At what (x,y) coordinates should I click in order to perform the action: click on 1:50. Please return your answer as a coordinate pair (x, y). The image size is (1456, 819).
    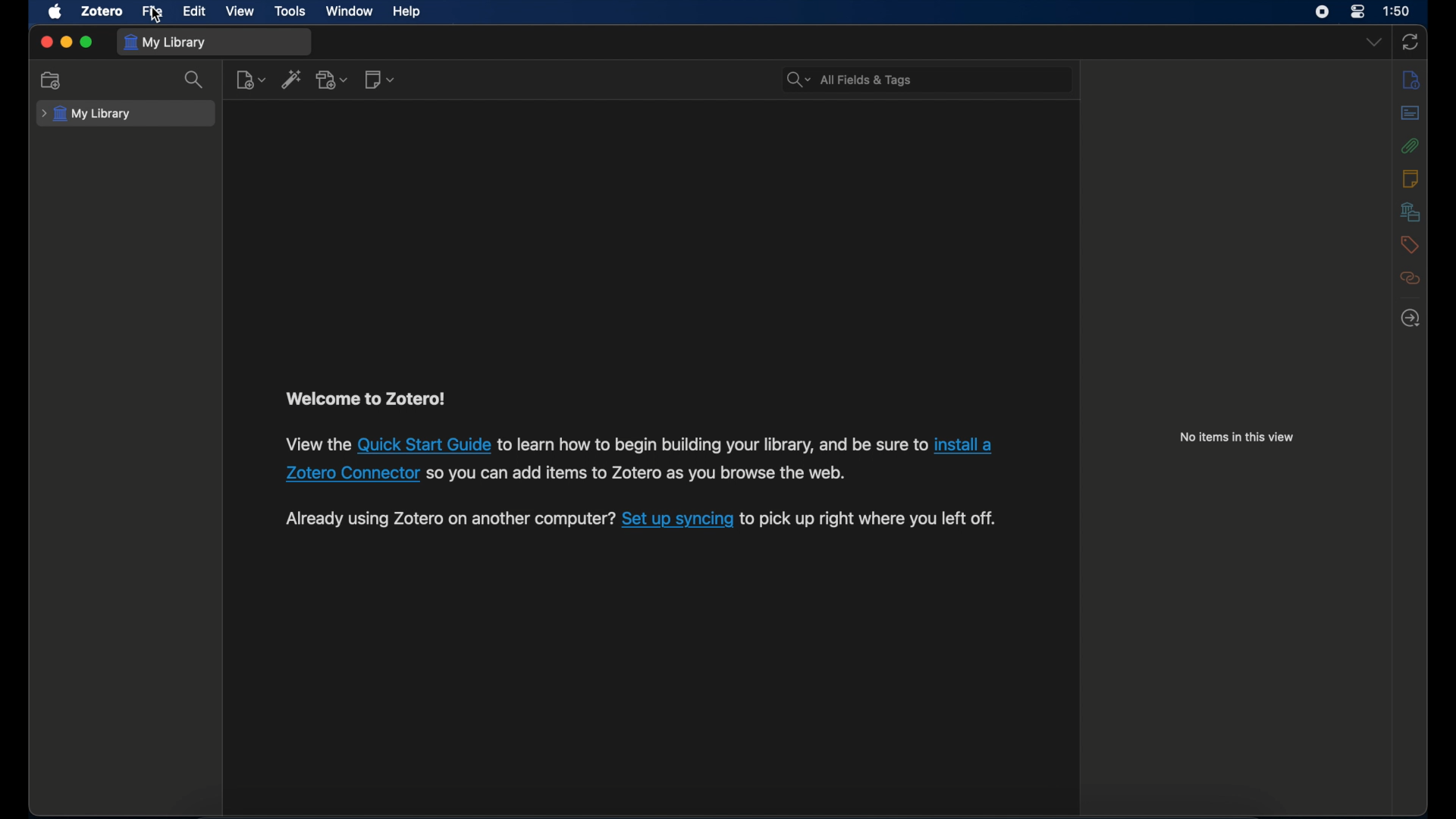
    Looking at the image, I should click on (1398, 11).